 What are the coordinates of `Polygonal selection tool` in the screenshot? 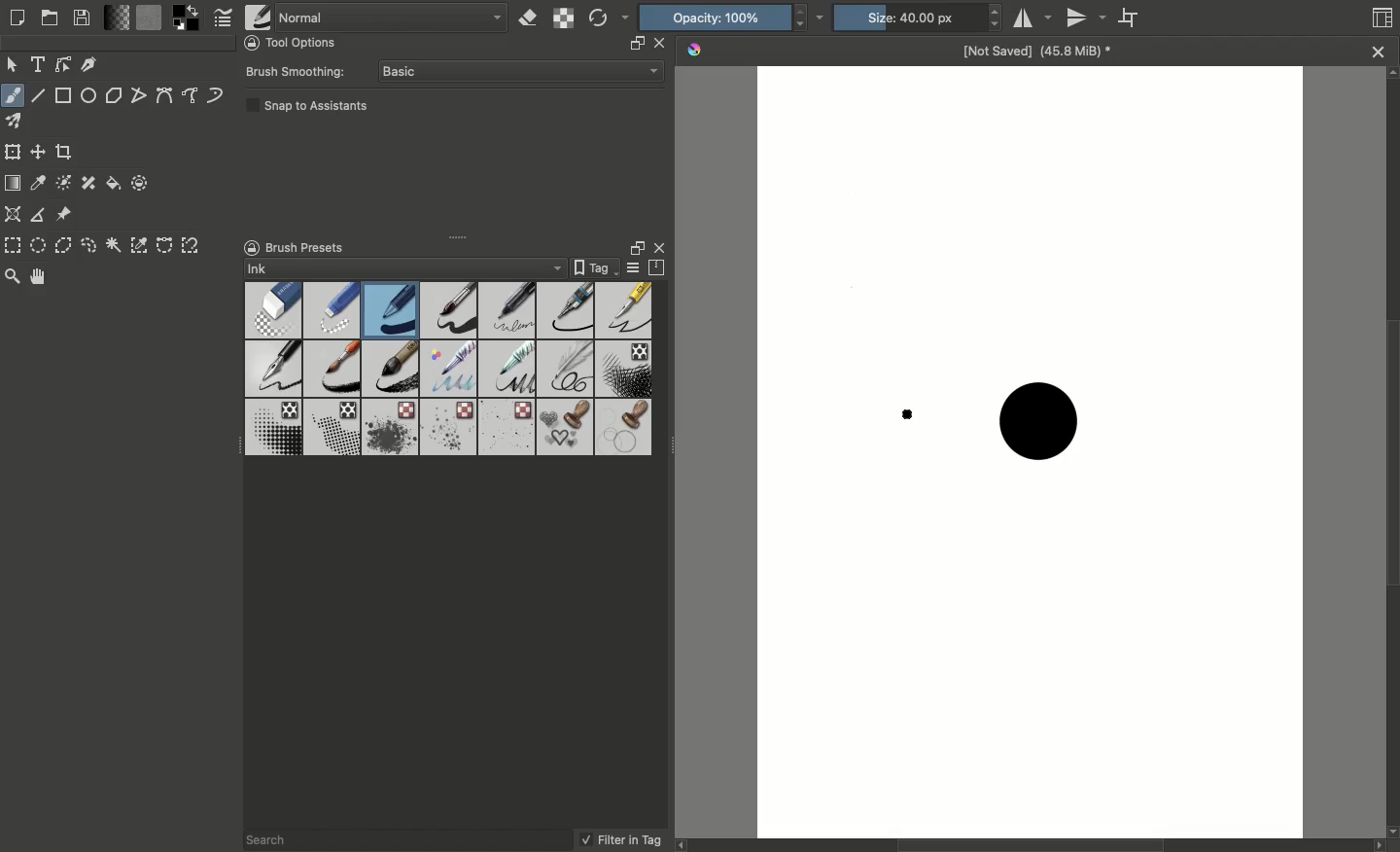 It's located at (64, 244).